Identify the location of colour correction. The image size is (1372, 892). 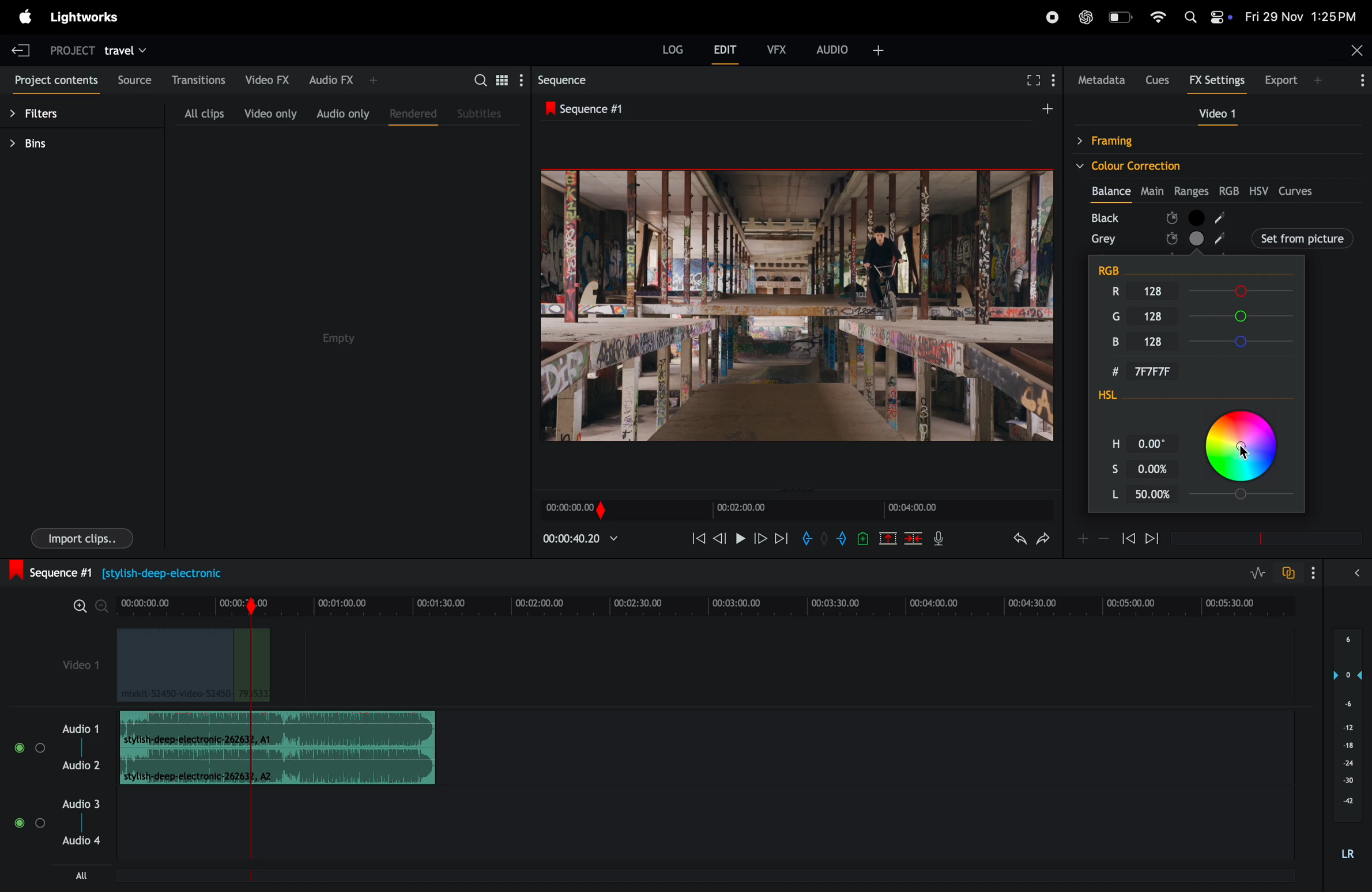
(1206, 165).